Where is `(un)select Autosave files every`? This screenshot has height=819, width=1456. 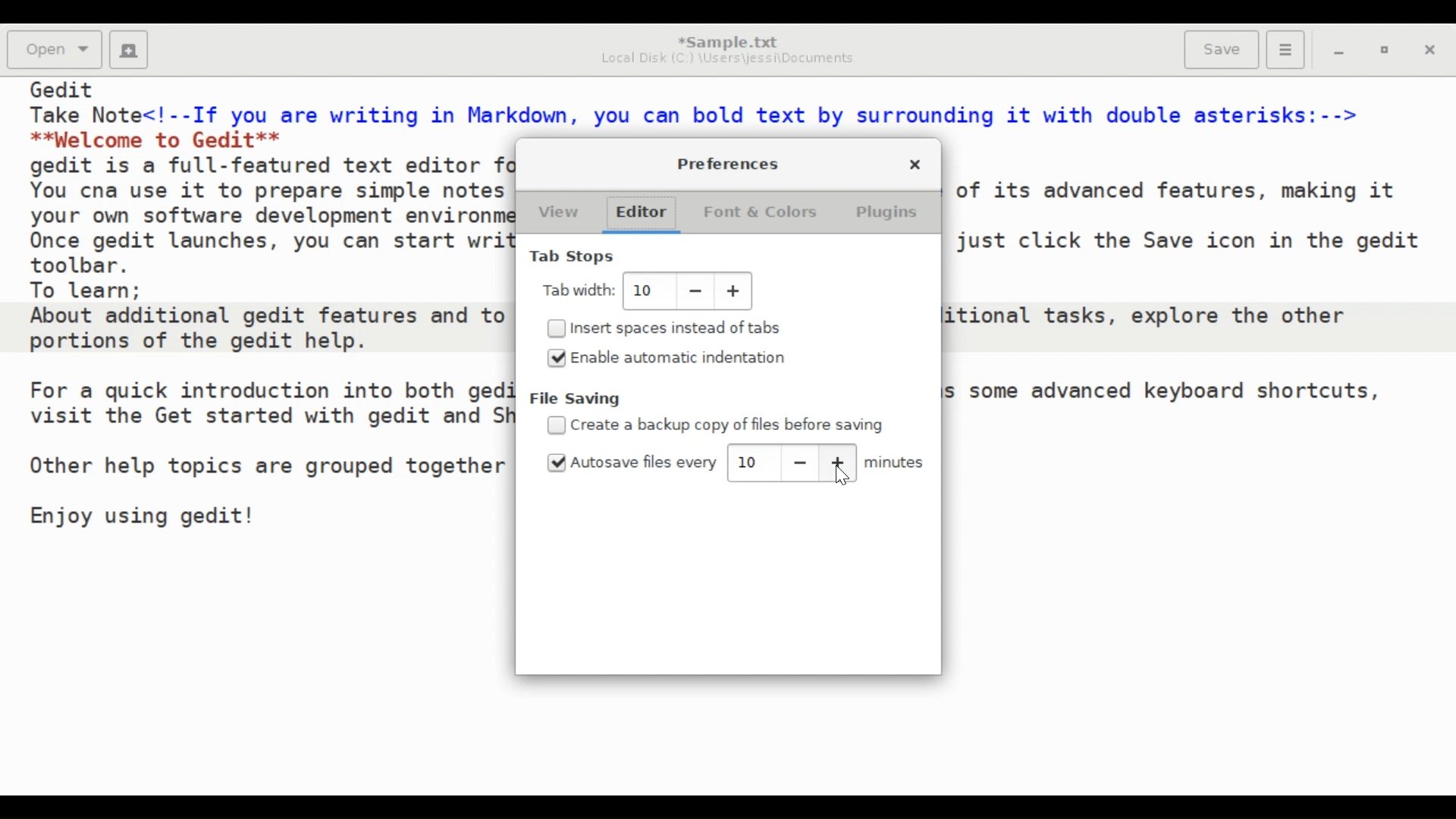 (un)select Autosave files every is located at coordinates (631, 462).